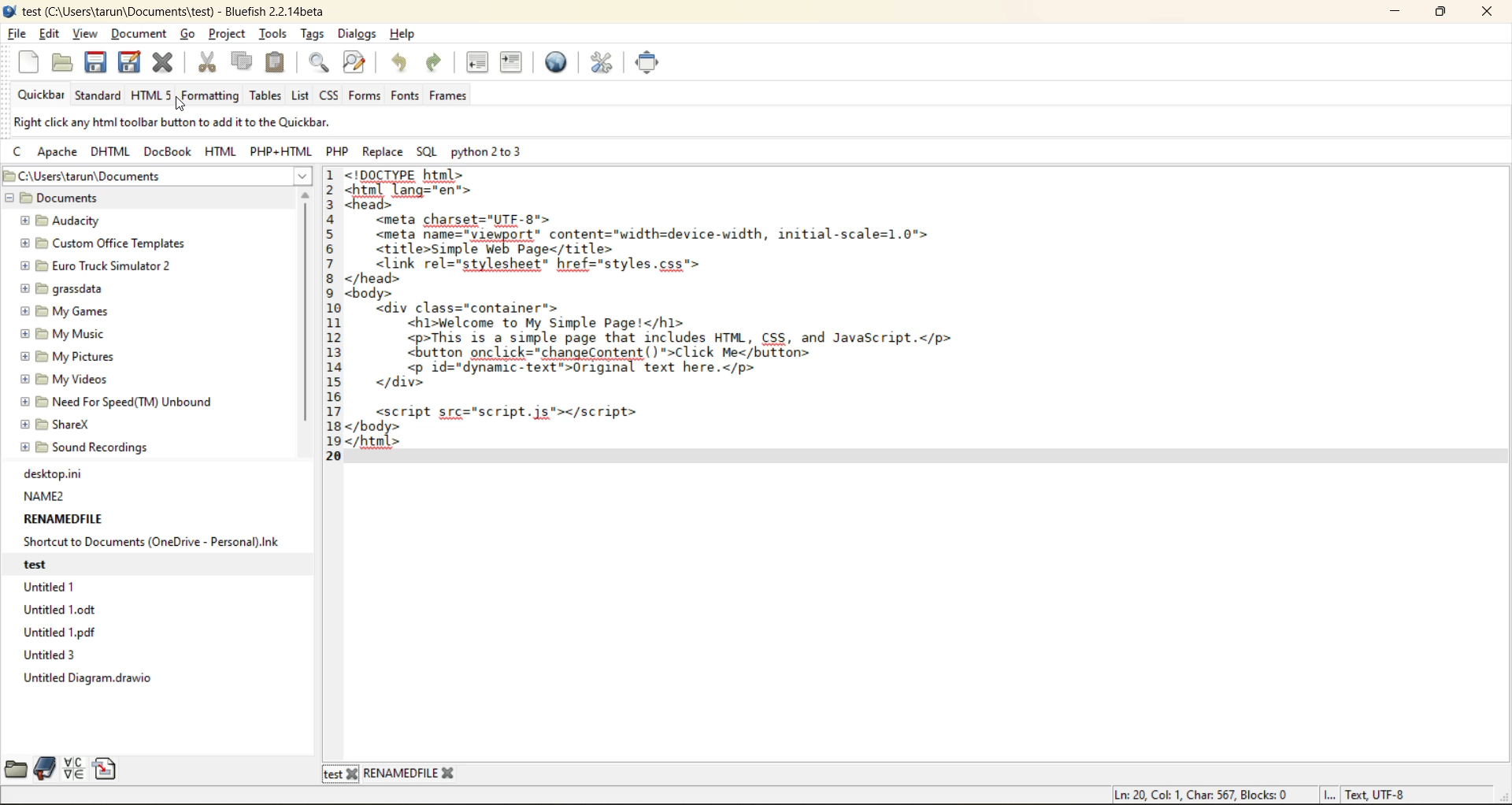  Describe the element at coordinates (298, 95) in the screenshot. I see `list` at that location.